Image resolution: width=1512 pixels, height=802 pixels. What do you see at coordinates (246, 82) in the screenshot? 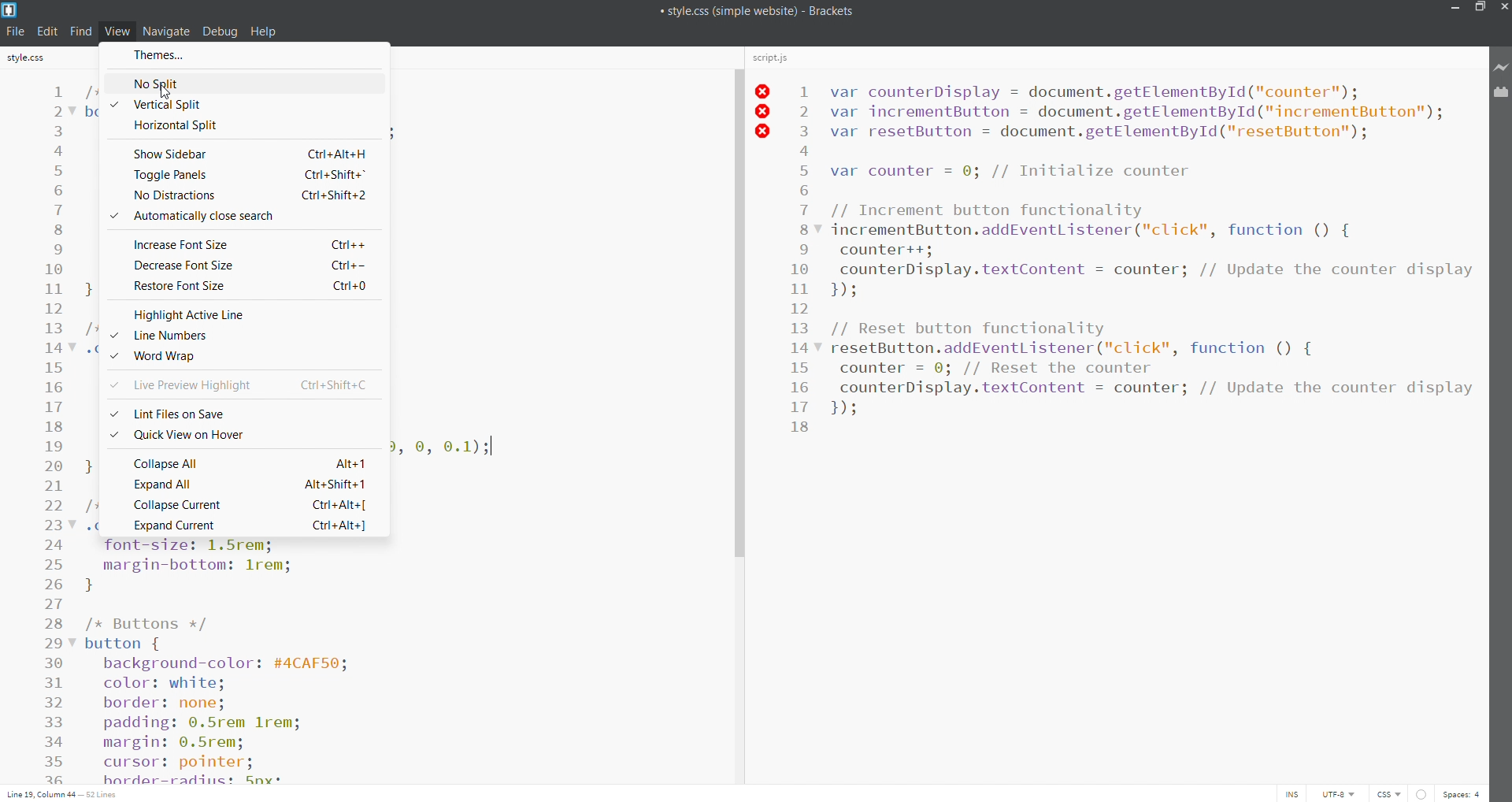
I see `no split` at bounding box center [246, 82].